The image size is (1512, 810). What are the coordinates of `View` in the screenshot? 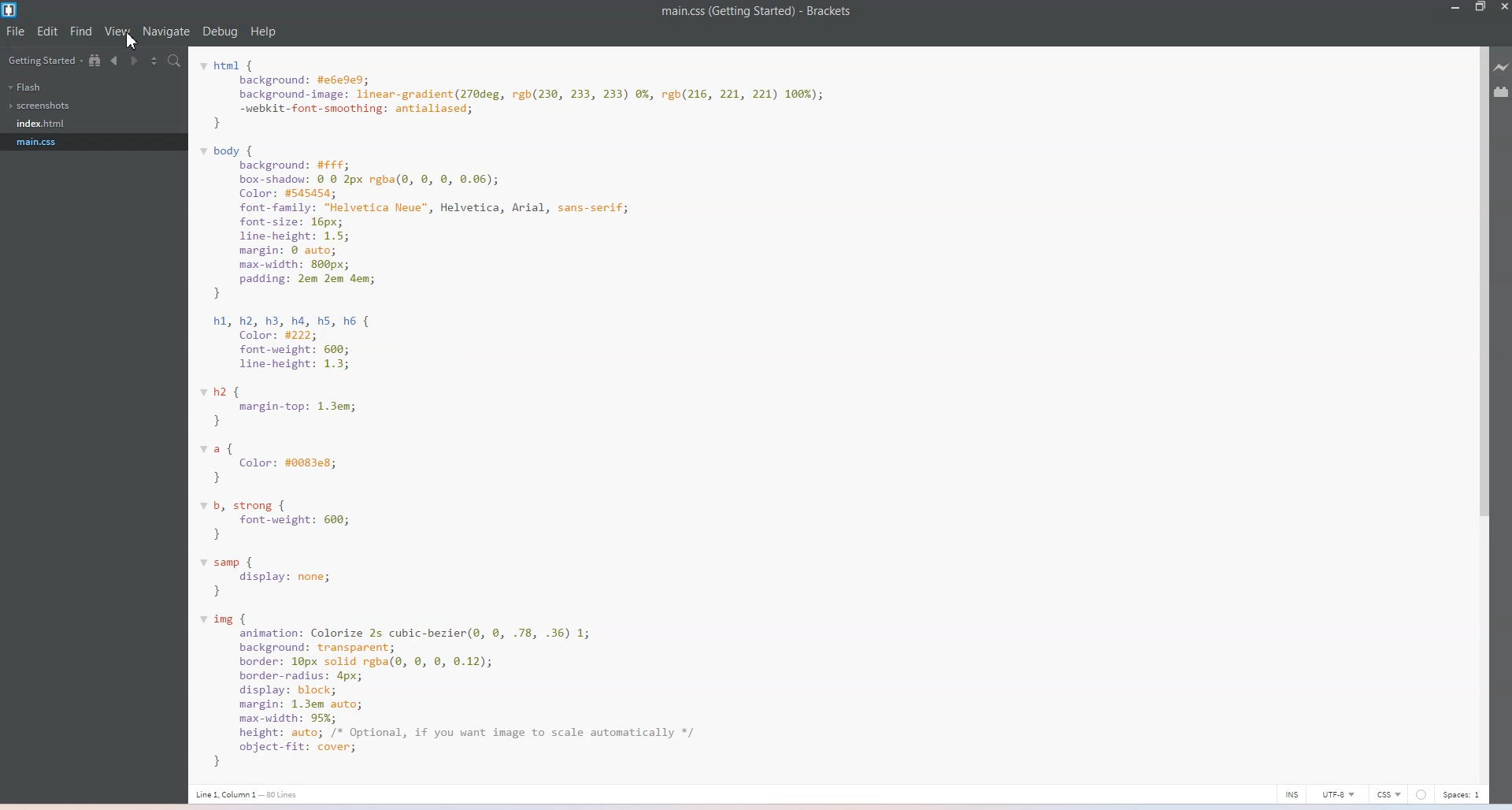 It's located at (119, 31).